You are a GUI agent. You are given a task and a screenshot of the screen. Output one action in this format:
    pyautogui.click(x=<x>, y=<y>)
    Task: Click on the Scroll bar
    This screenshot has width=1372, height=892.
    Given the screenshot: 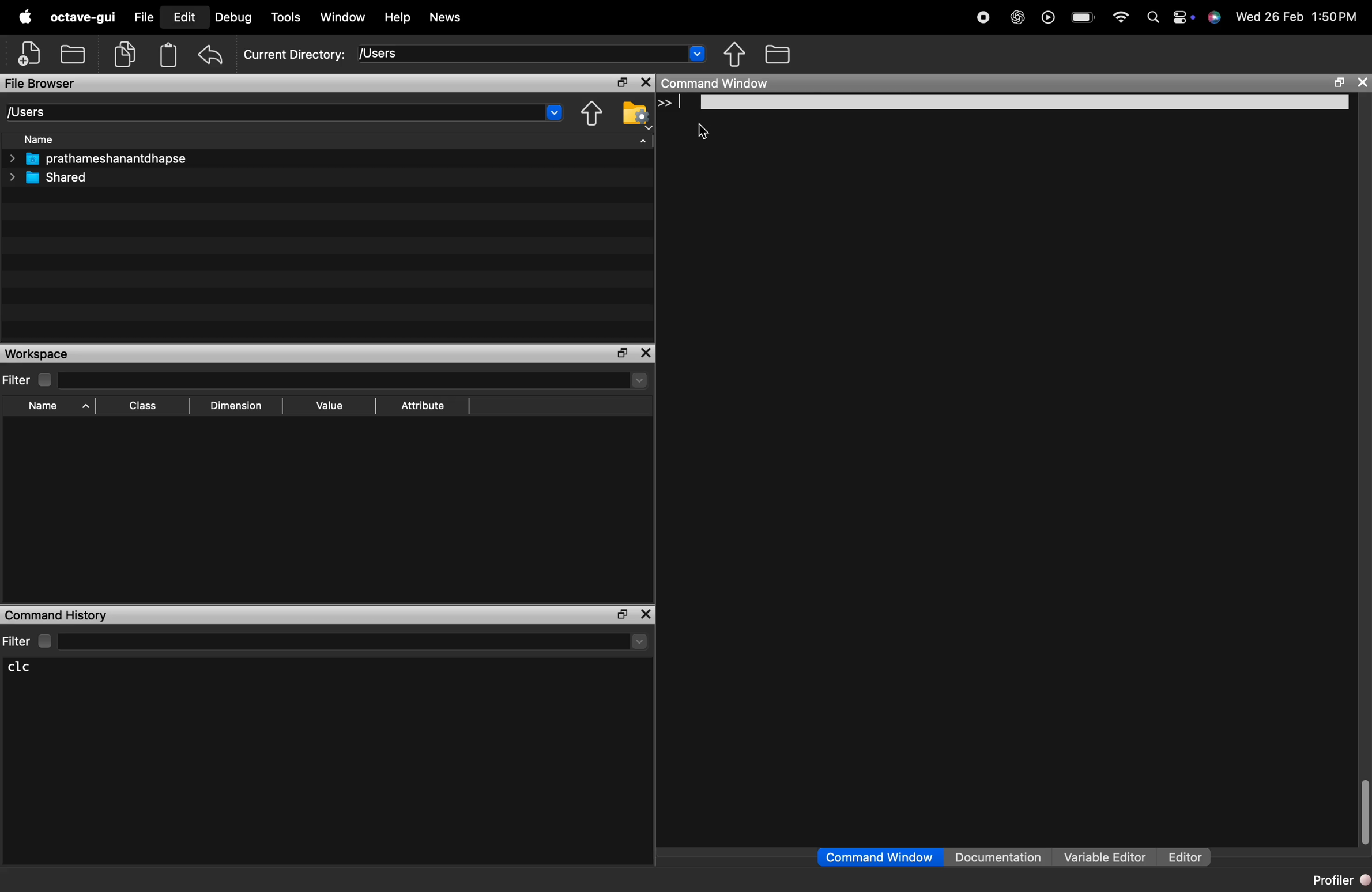 What is the action you would take?
    pyautogui.click(x=1363, y=812)
    